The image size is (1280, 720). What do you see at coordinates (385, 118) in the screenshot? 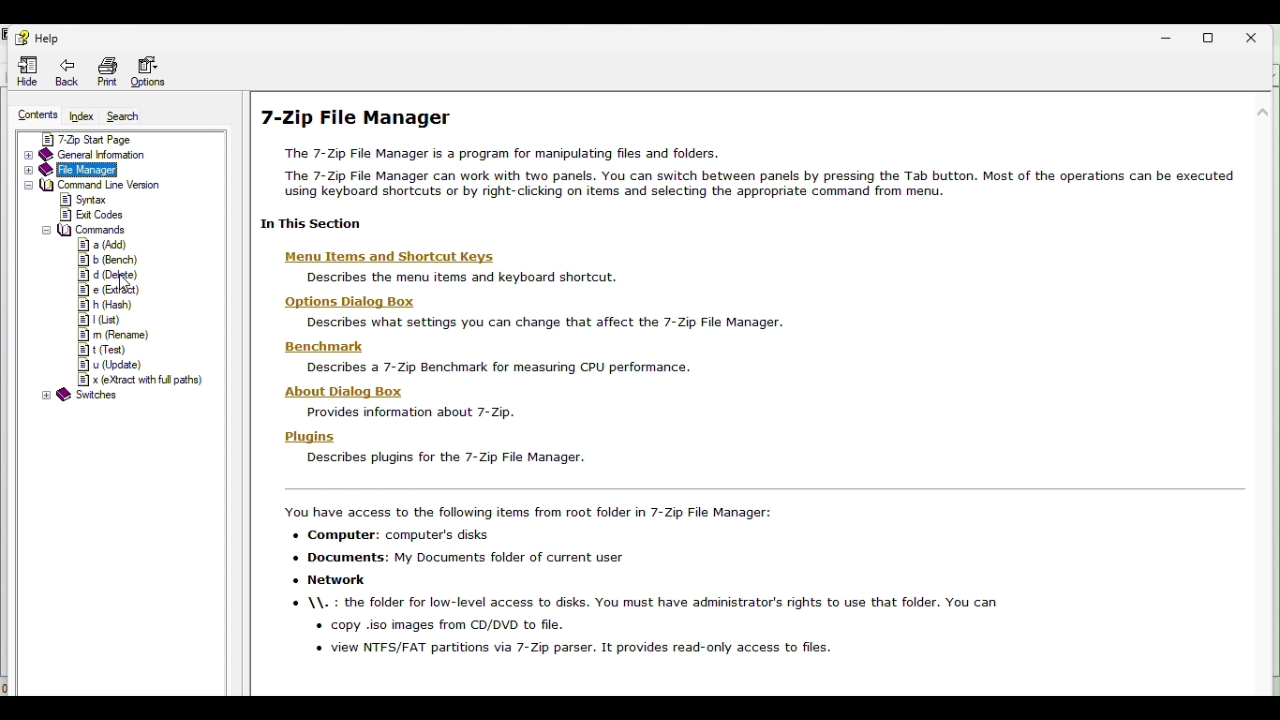
I see `| 7-Zip File Manager` at bounding box center [385, 118].